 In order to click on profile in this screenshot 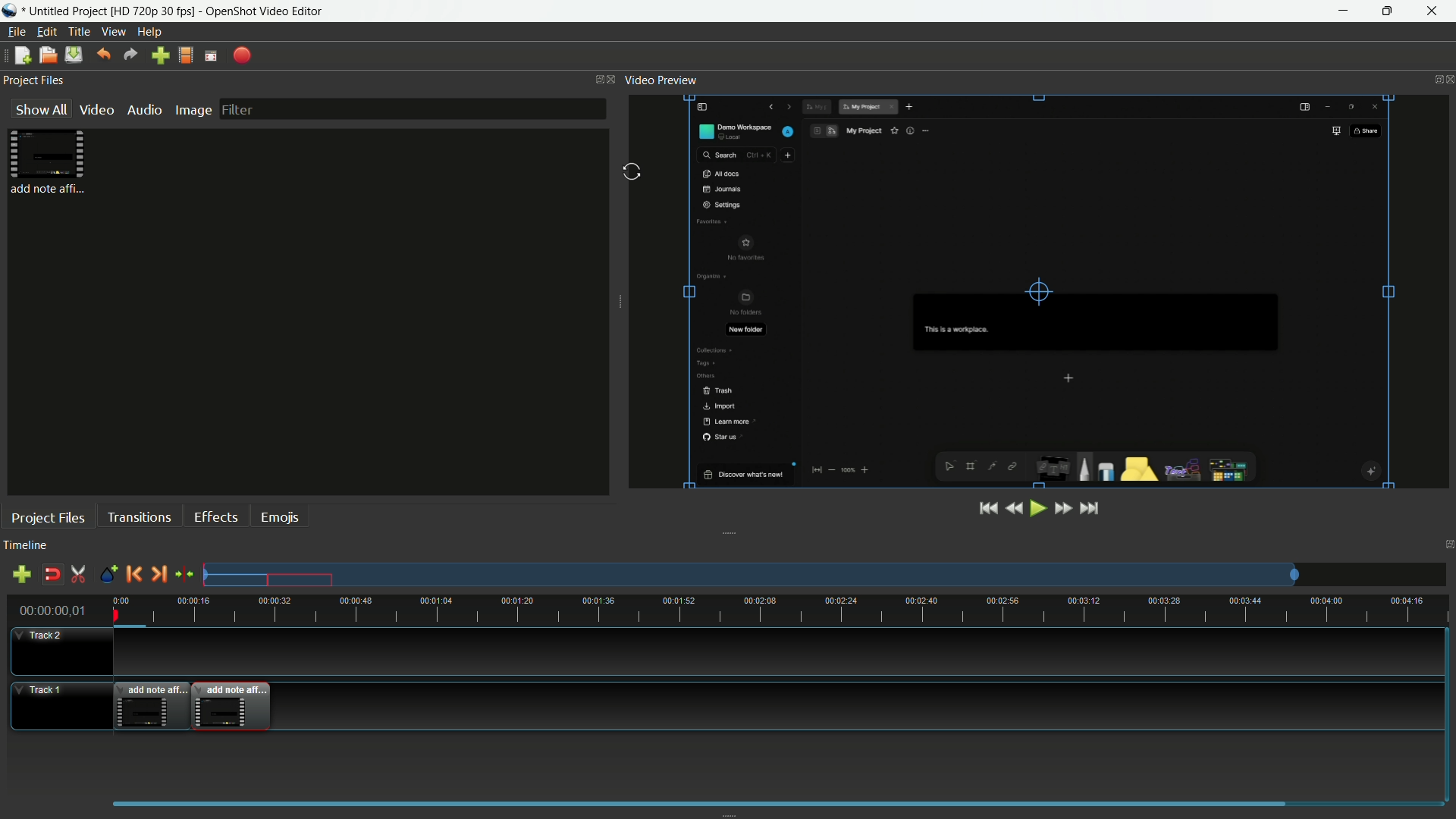, I will do `click(186, 56)`.